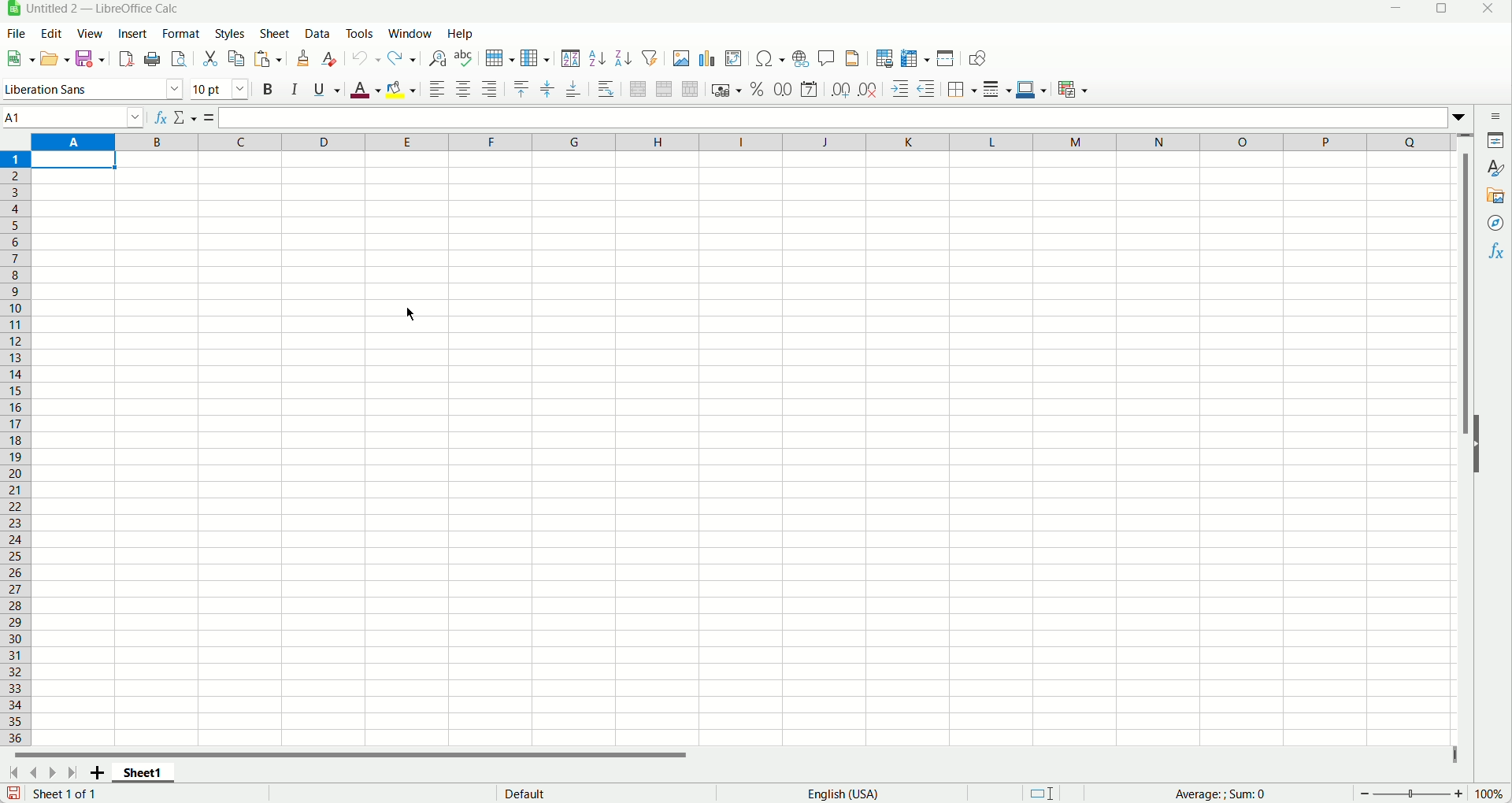  What do you see at coordinates (784, 87) in the screenshot?
I see `Format as number` at bounding box center [784, 87].